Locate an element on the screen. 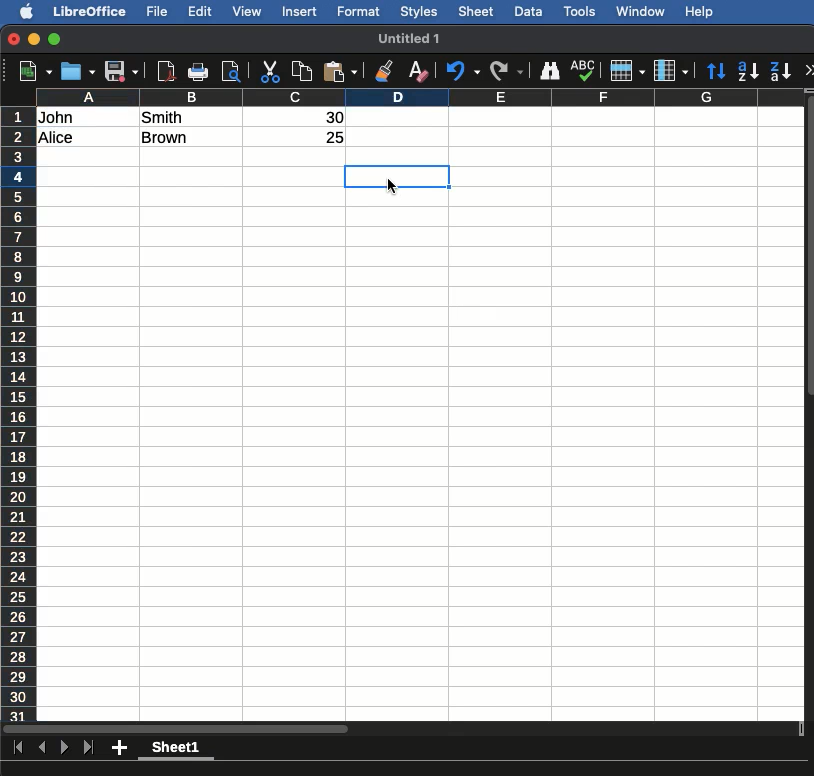 The image size is (814, 776). Print is located at coordinates (197, 69).